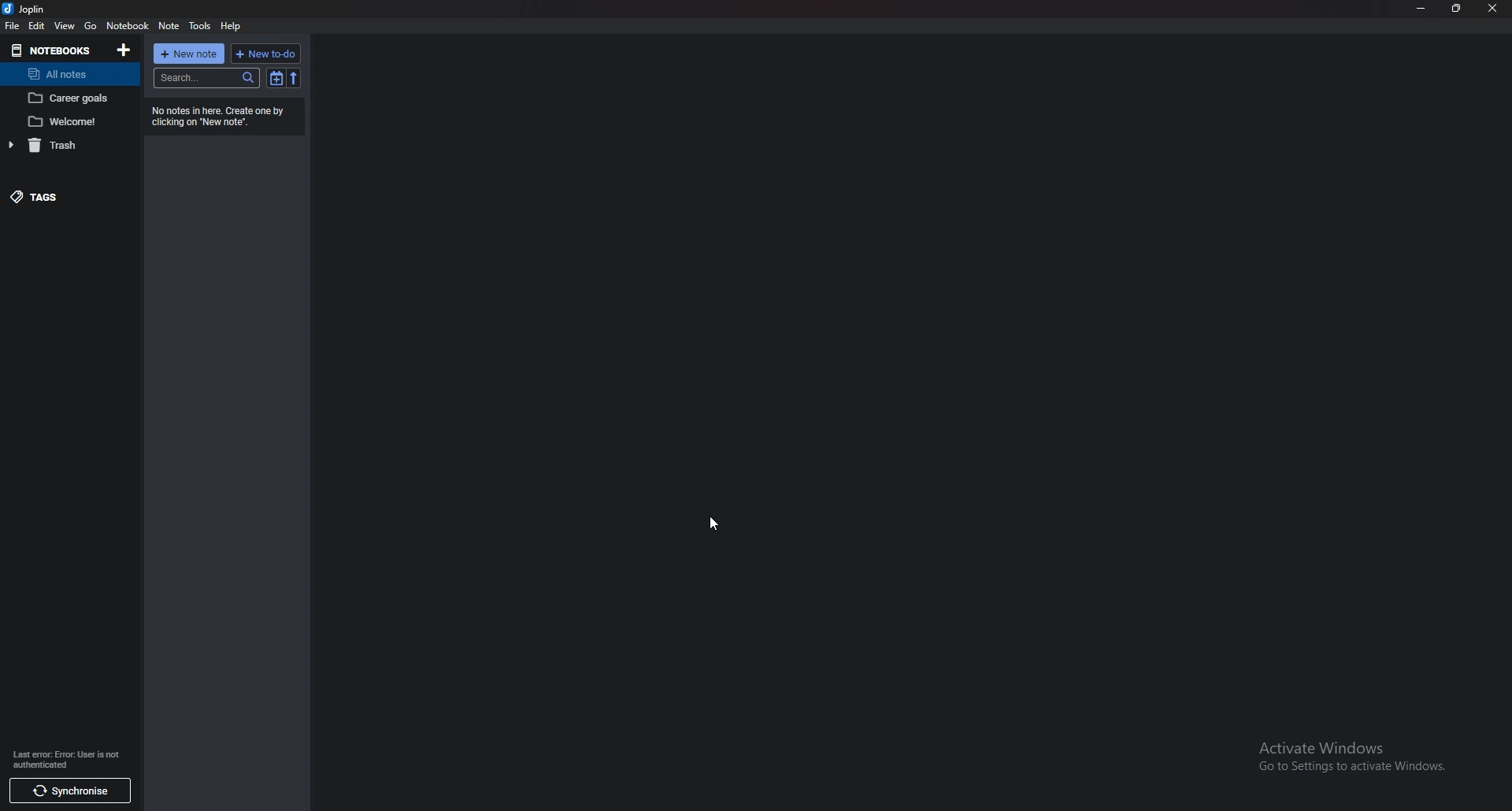 This screenshot has height=811, width=1512. I want to click on Activate Windows, so click(1349, 755).